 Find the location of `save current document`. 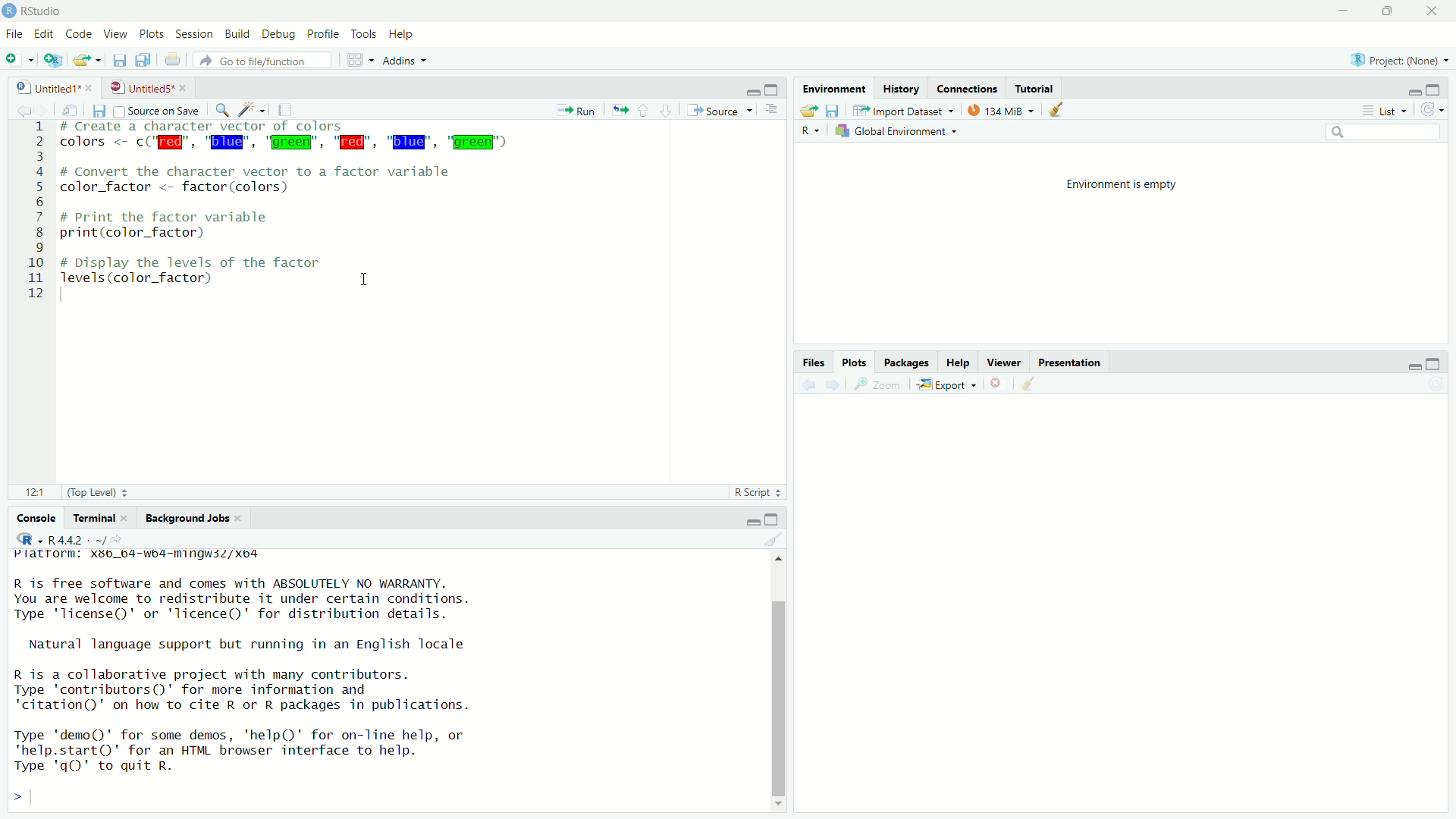

save current document is located at coordinates (99, 111).